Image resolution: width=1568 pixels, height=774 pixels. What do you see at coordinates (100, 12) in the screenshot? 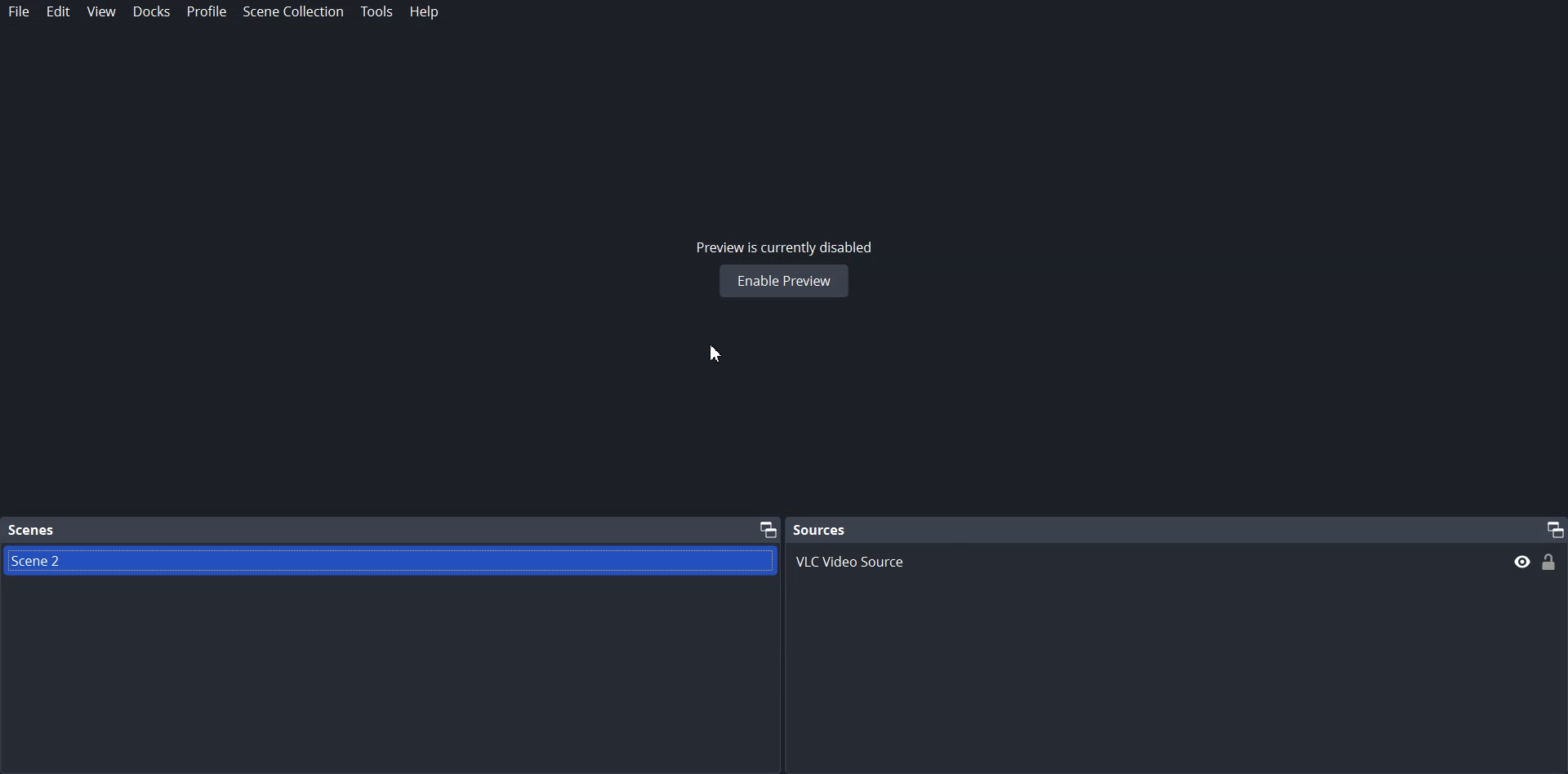
I see `View` at bounding box center [100, 12].